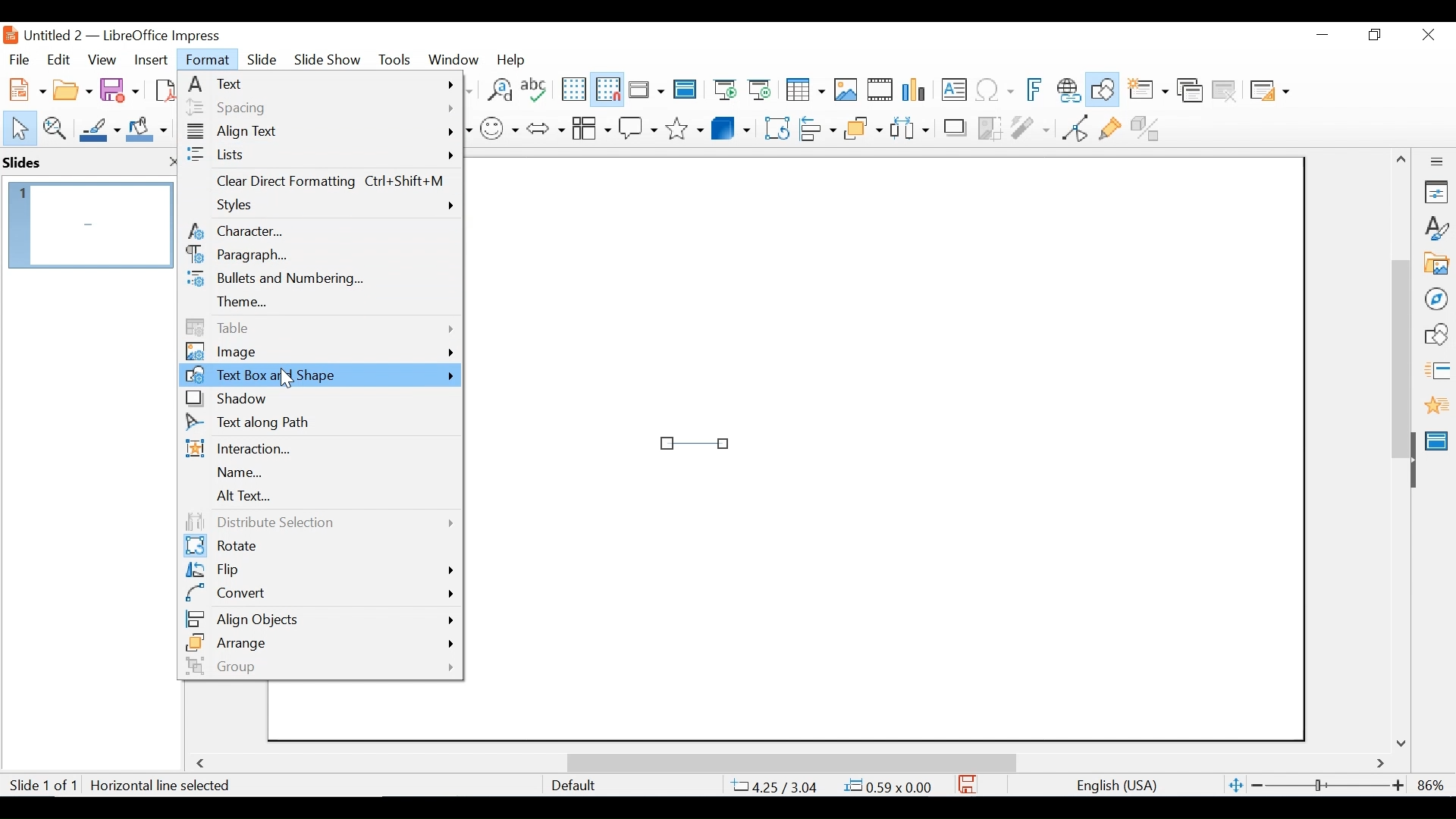 This screenshot has height=819, width=1456. What do you see at coordinates (1434, 785) in the screenshot?
I see `86%` at bounding box center [1434, 785].